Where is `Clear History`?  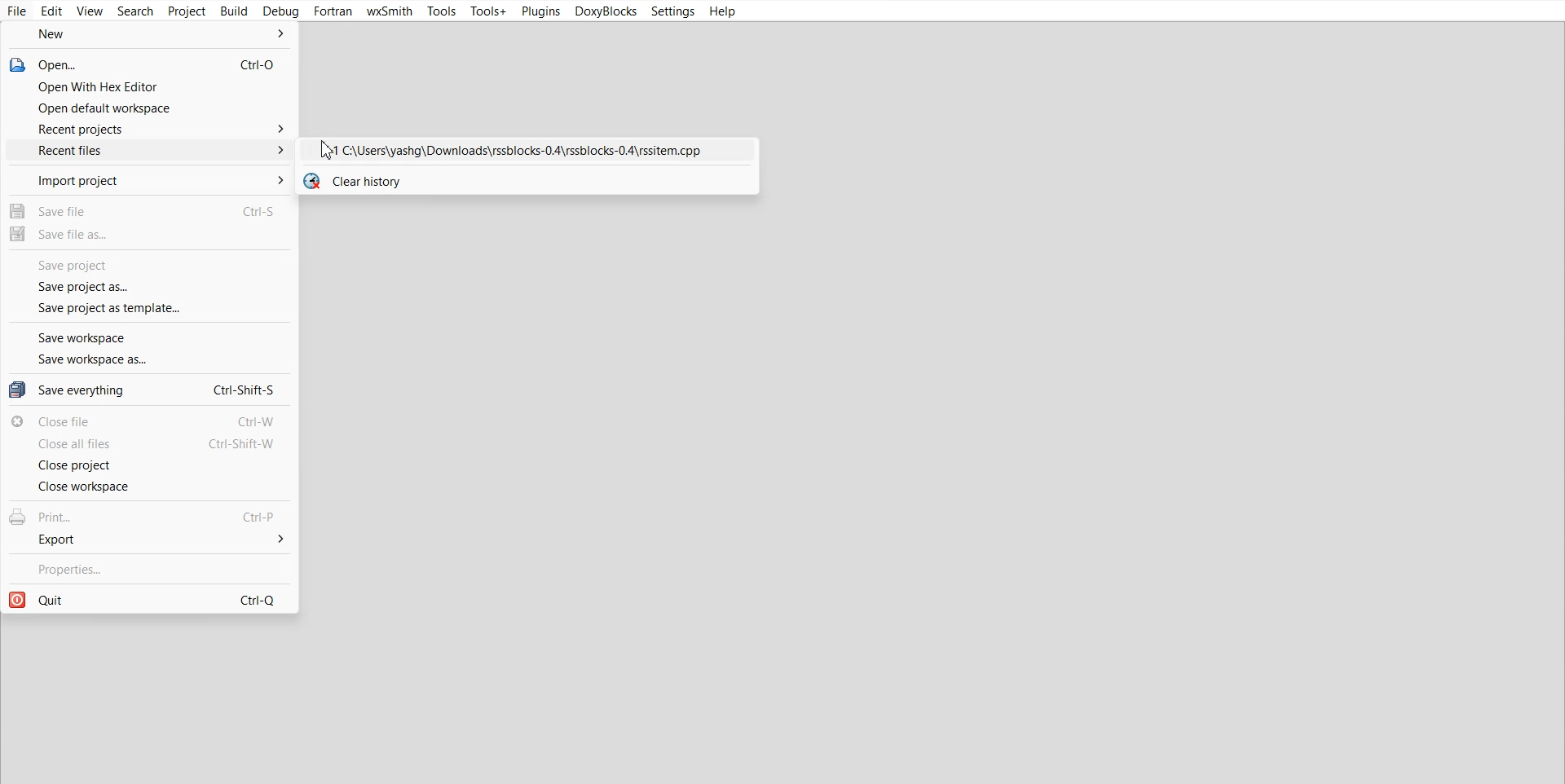 Clear History is located at coordinates (526, 181).